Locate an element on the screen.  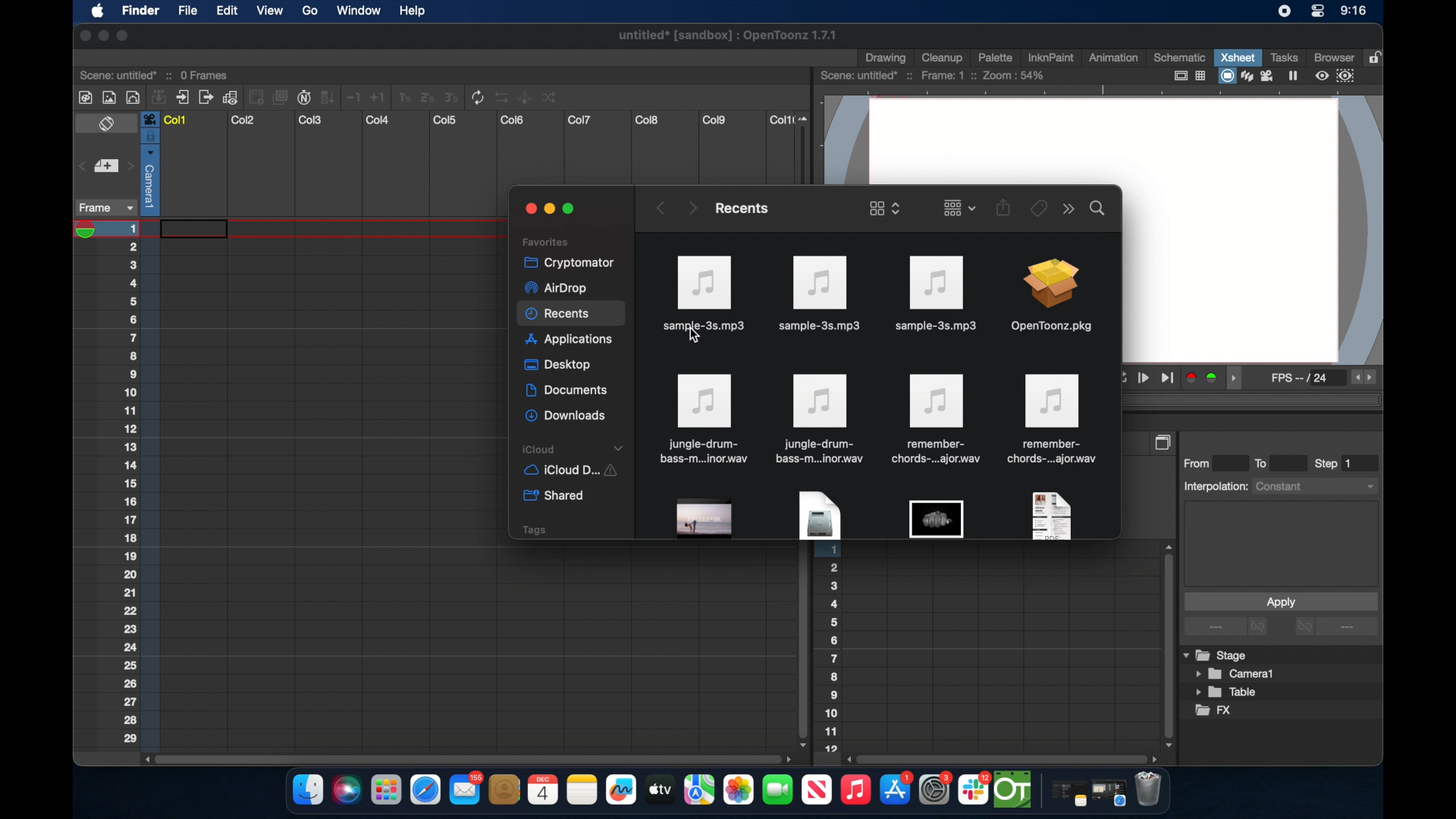
safari is located at coordinates (1109, 793).